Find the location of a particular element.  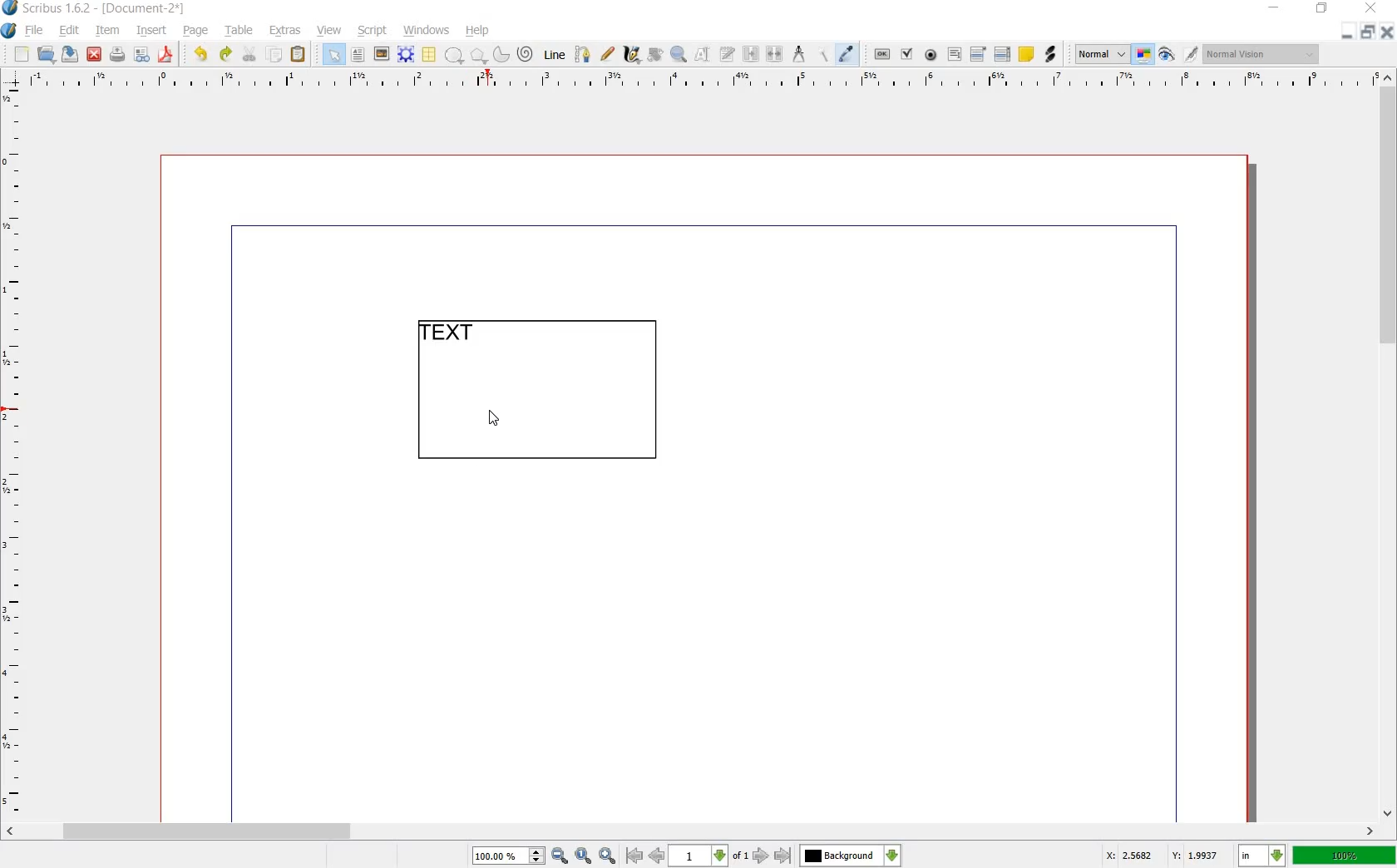

100% is located at coordinates (500, 856).